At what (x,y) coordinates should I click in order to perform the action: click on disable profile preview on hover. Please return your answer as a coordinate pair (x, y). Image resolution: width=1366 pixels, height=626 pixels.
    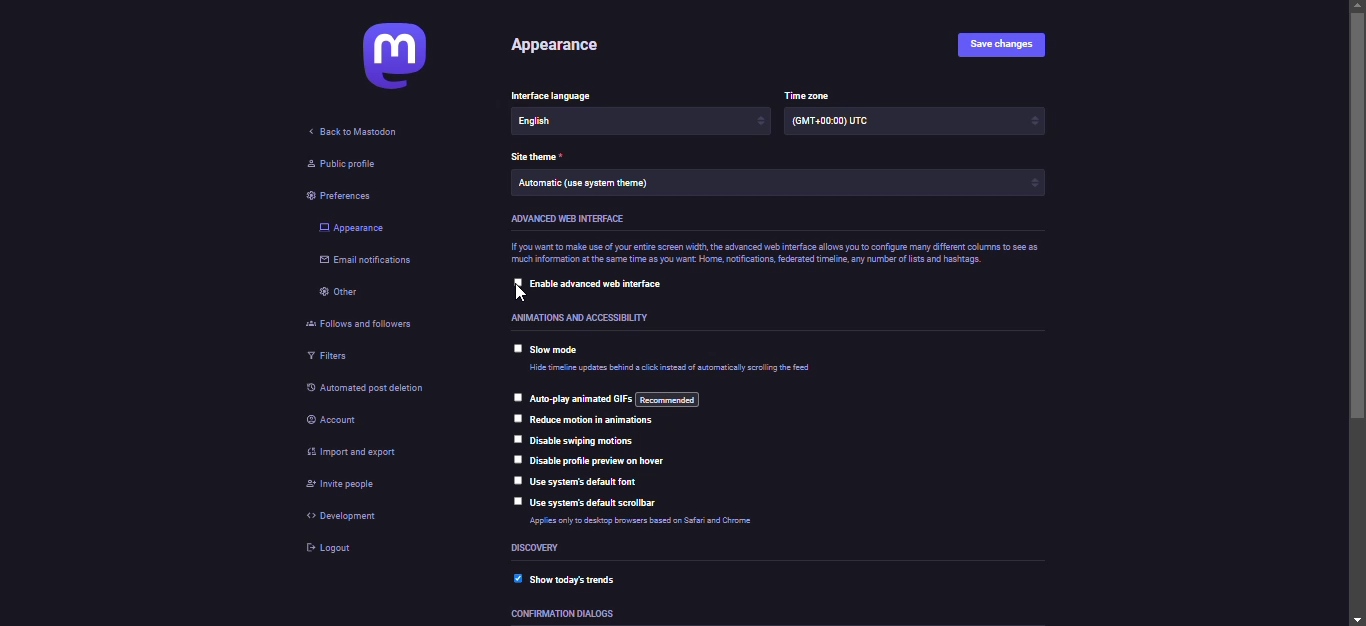
    Looking at the image, I should click on (612, 459).